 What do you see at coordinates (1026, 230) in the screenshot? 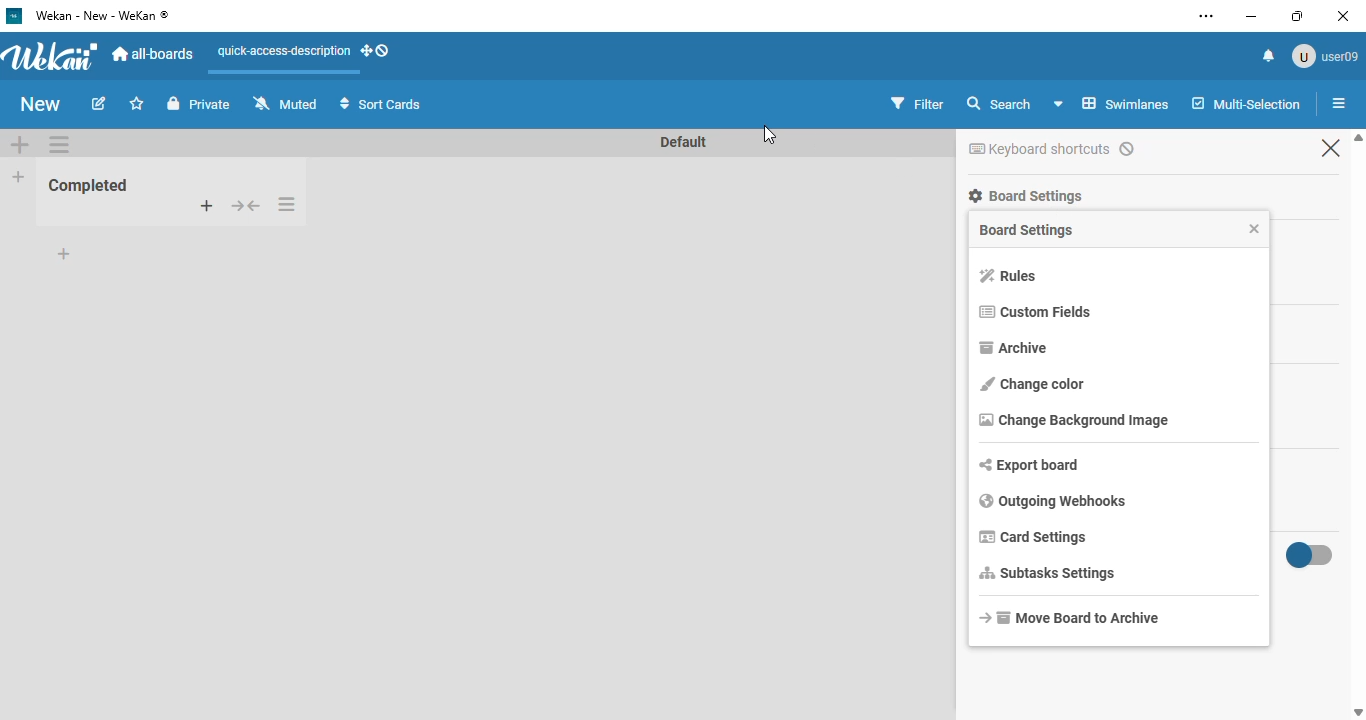
I see `board settings` at bounding box center [1026, 230].